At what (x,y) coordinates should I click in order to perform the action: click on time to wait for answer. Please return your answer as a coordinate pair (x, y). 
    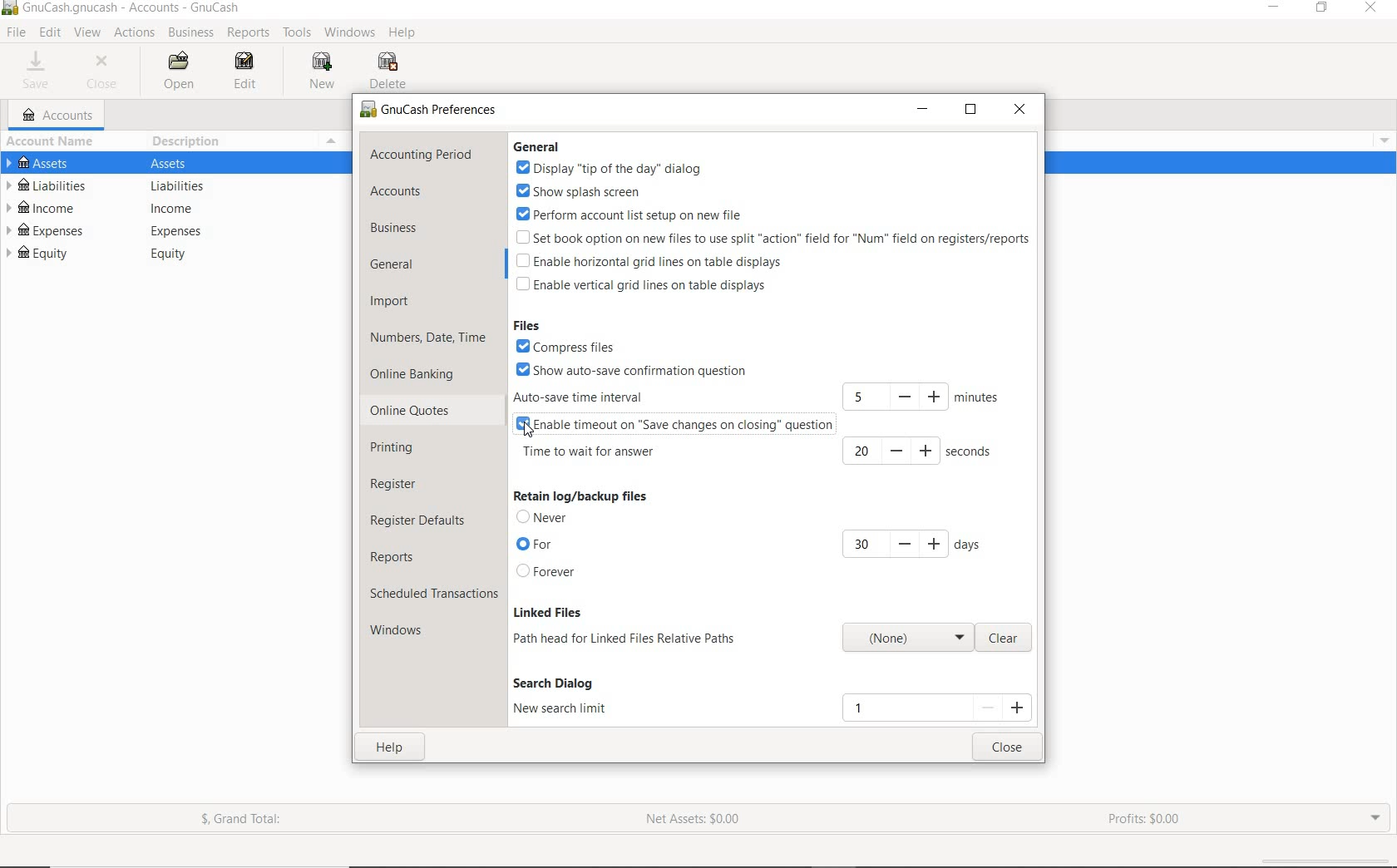
    Looking at the image, I should click on (590, 453).